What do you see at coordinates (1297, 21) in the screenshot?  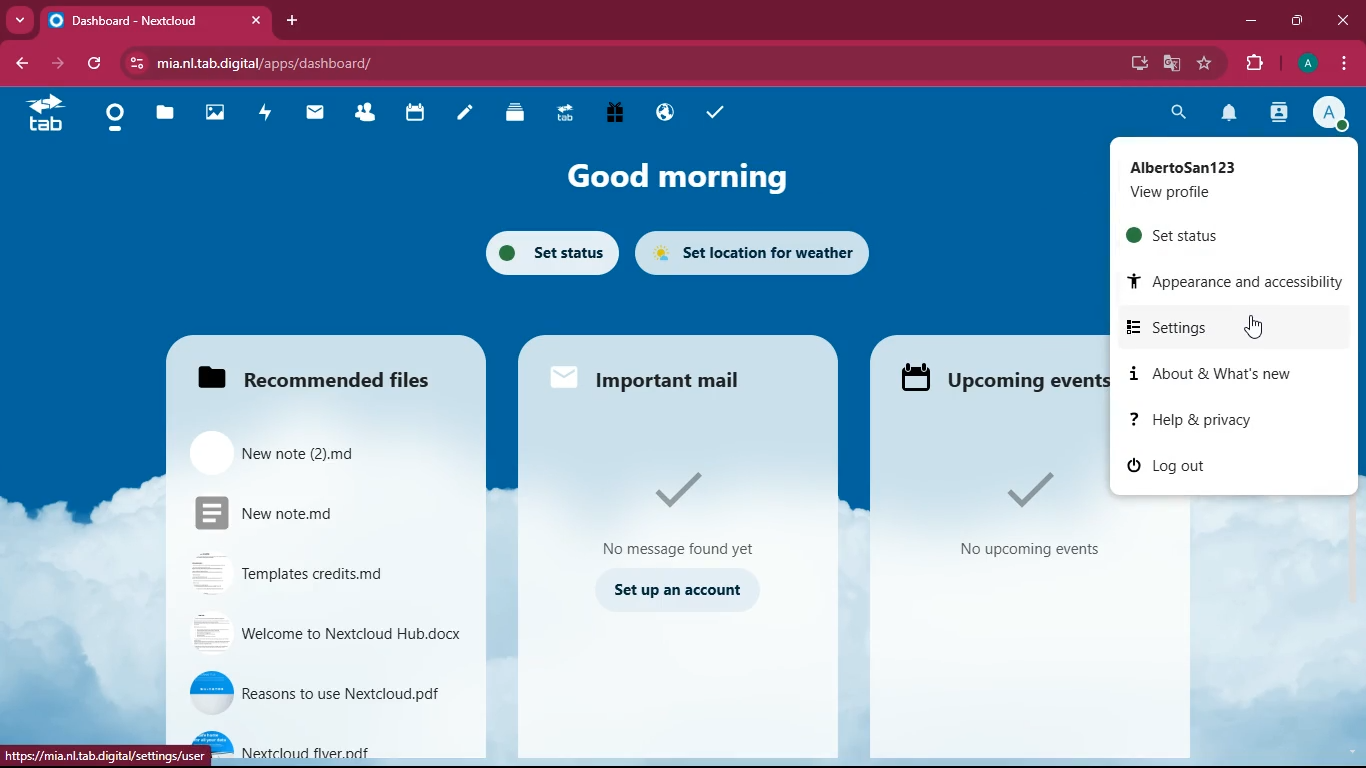 I see `maximize` at bounding box center [1297, 21].